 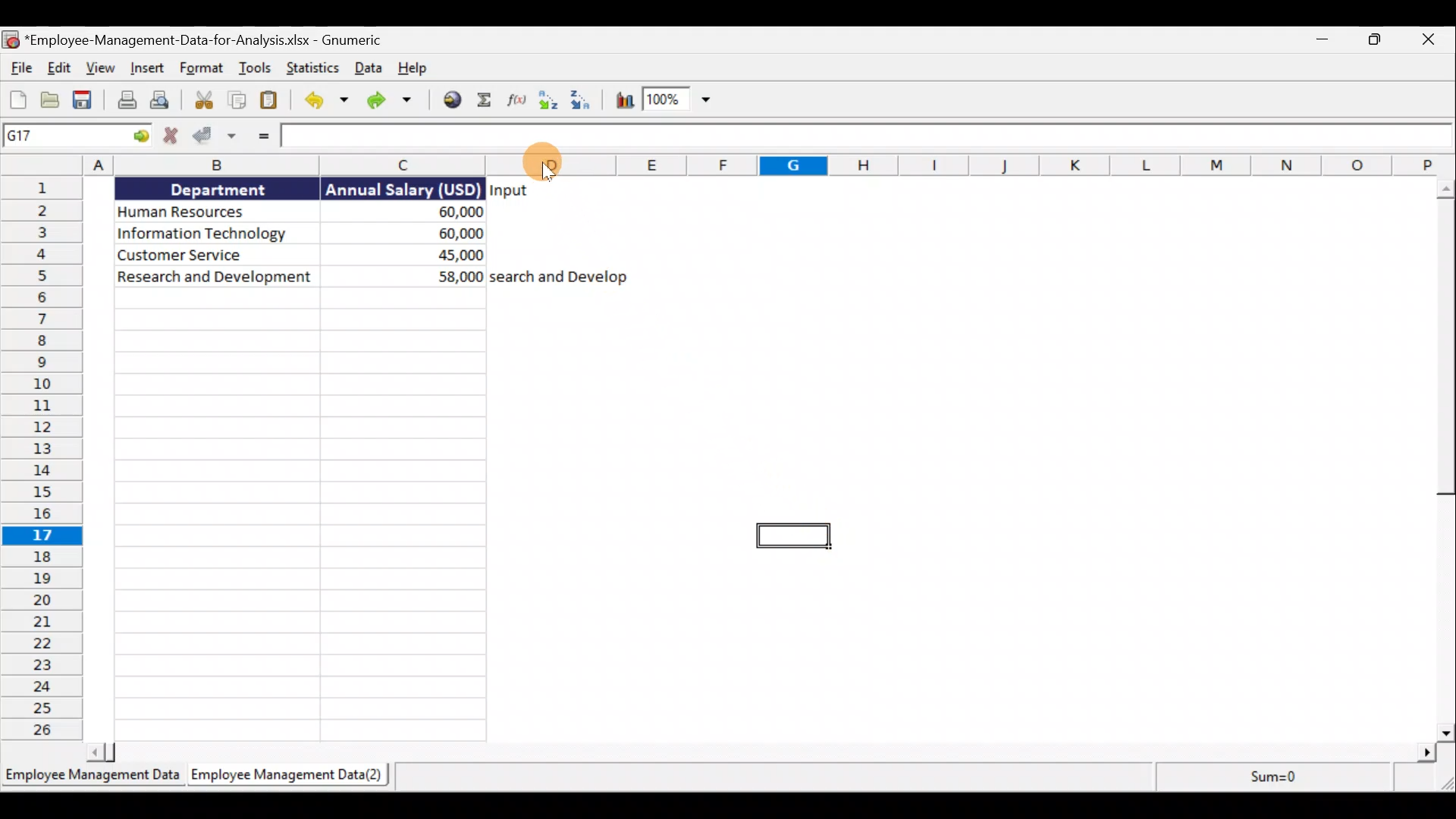 What do you see at coordinates (61, 64) in the screenshot?
I see `Edit` at bounding box center [61, 64].